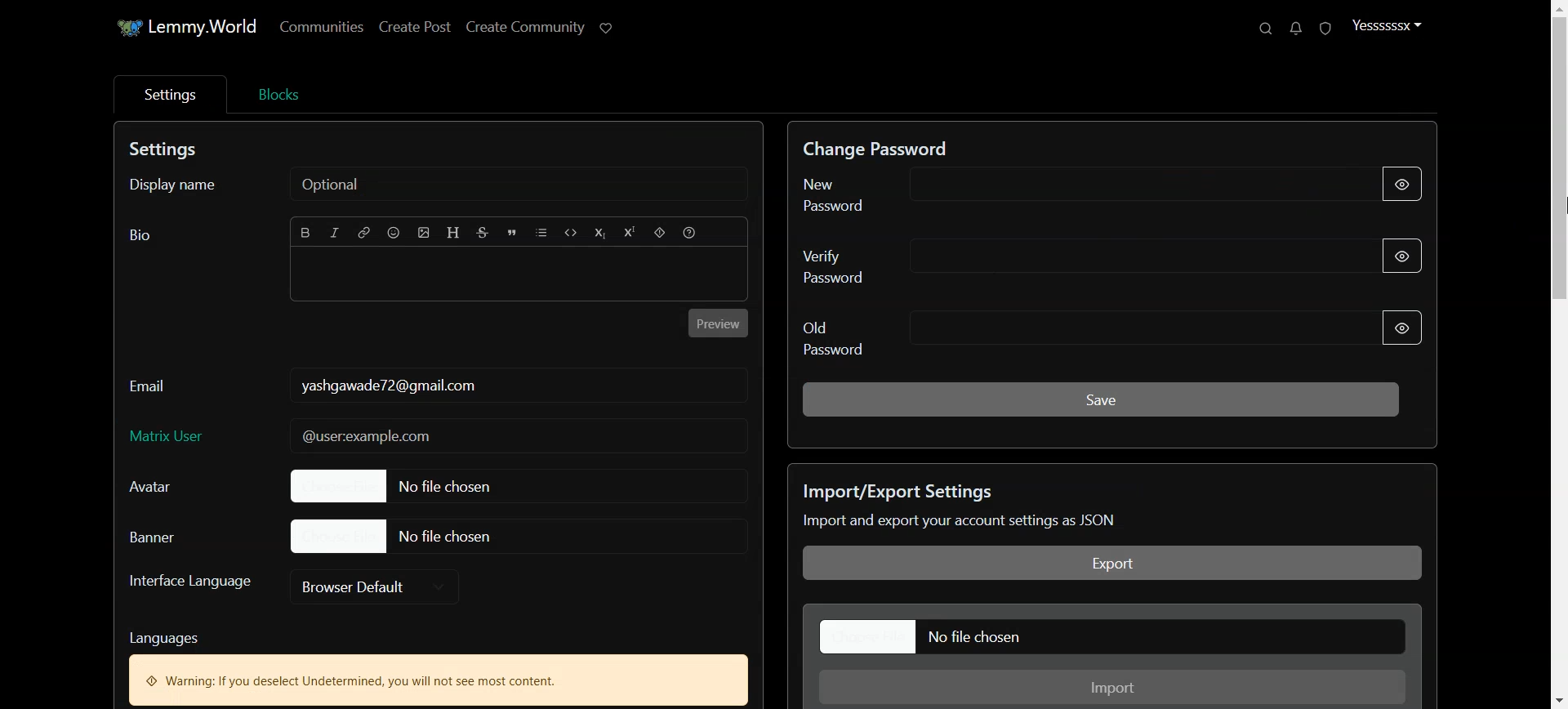 The height and width of the screenshot is (709, 1568). I want to click on New Password, so click(1111, 189).